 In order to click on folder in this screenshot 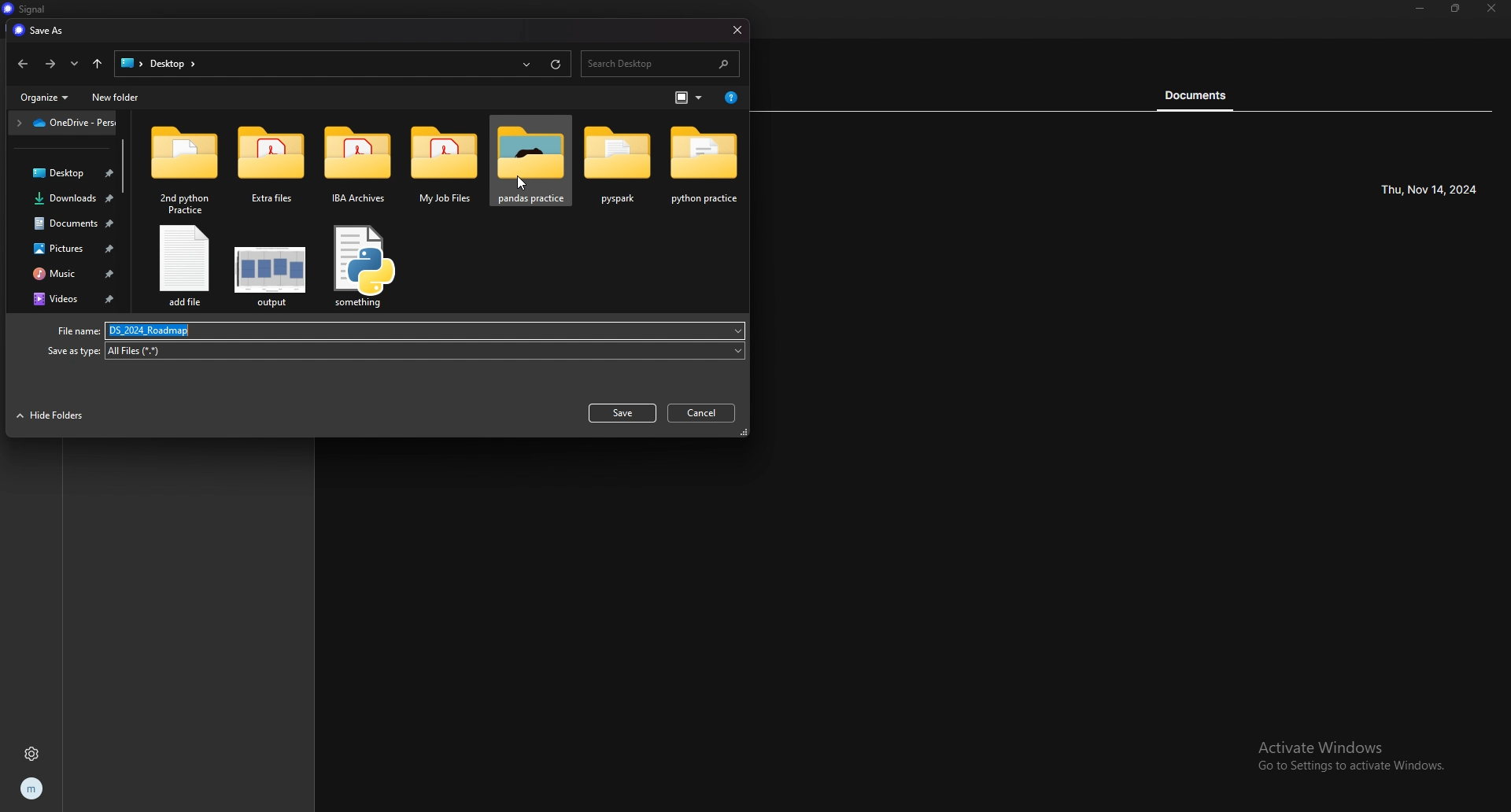, I will do `click(703, 164)`.